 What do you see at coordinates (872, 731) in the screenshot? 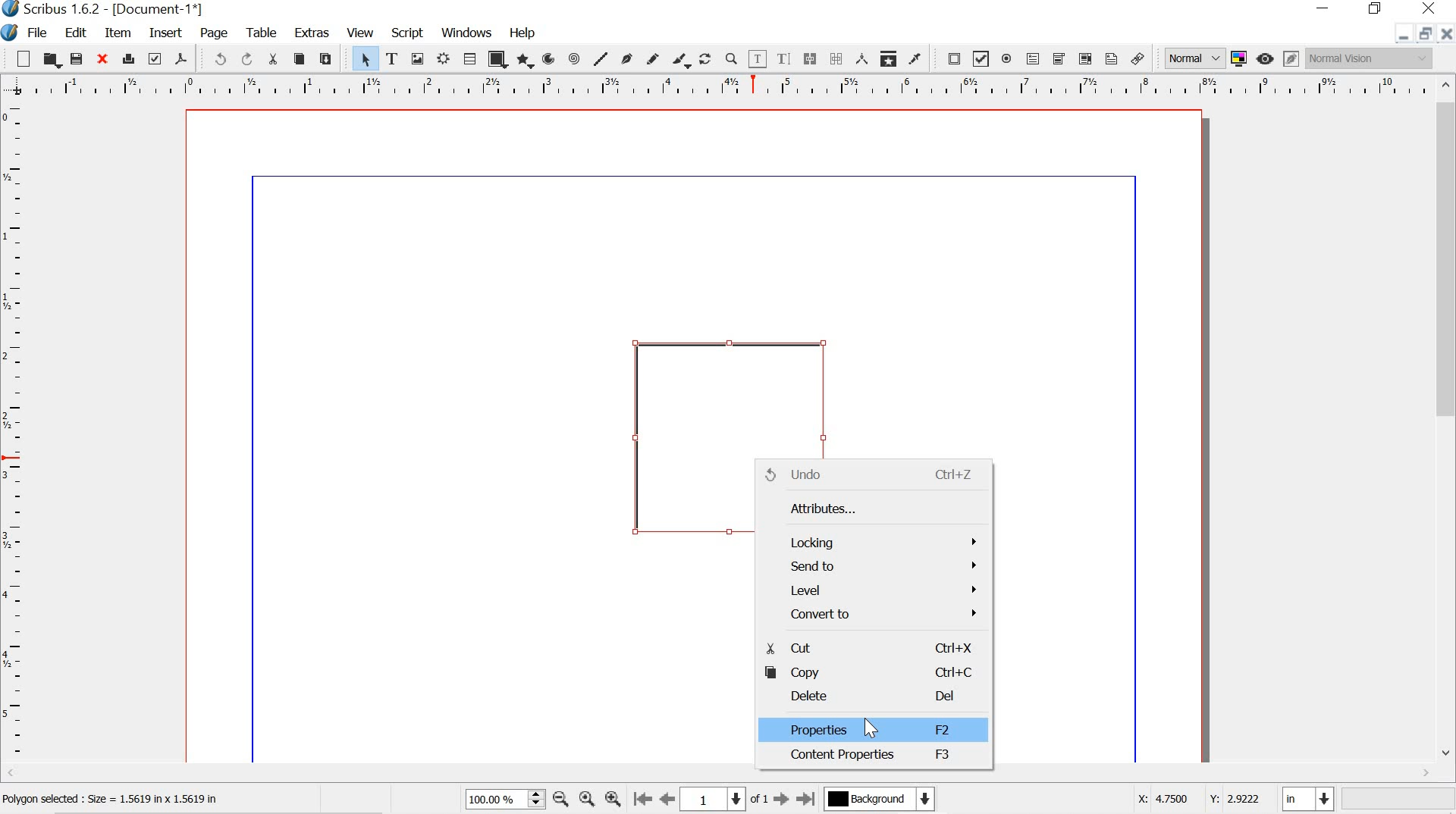
I see `properties f2` at bounding box center [872, 731].